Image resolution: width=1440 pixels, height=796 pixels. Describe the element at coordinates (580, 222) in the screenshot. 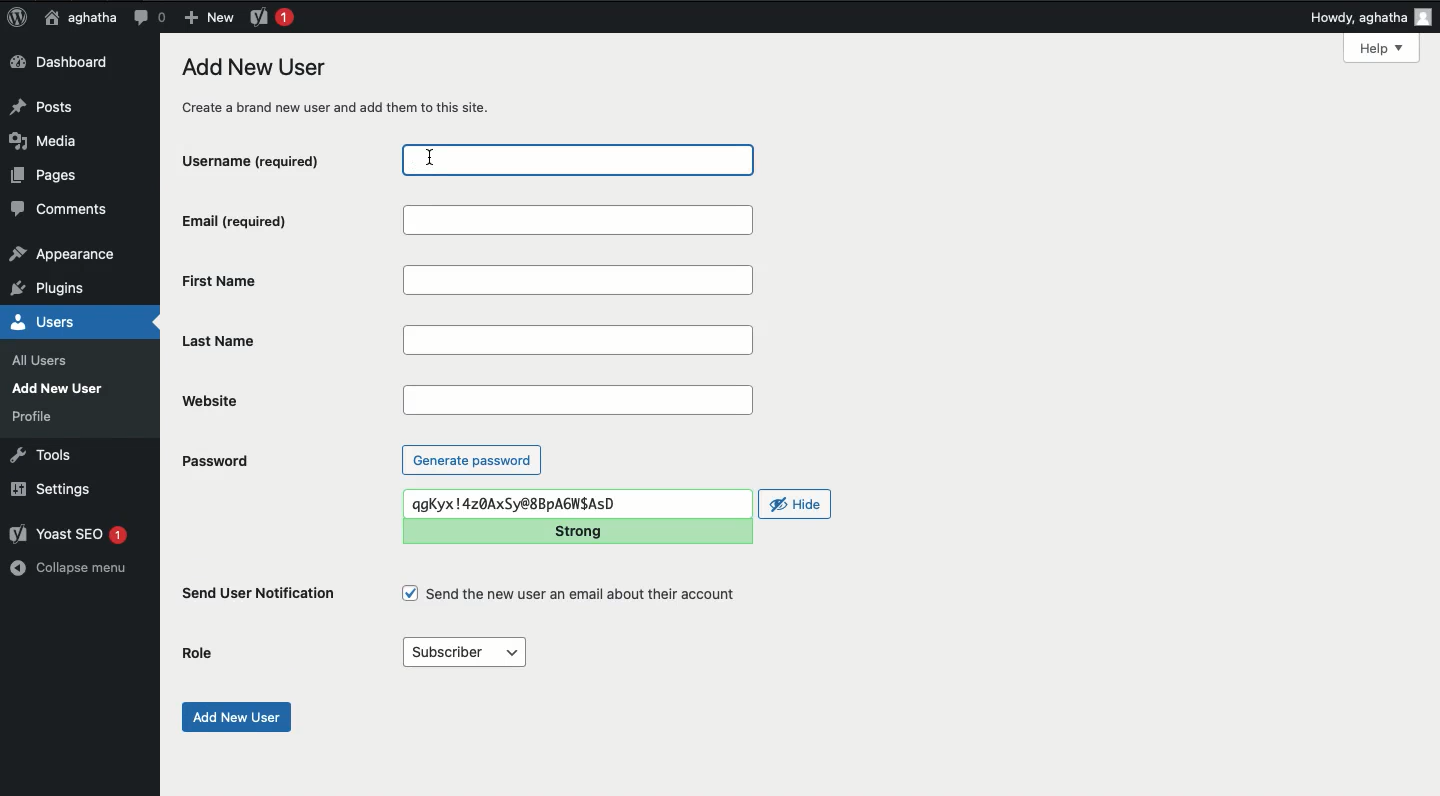

I see `Email` at that location.